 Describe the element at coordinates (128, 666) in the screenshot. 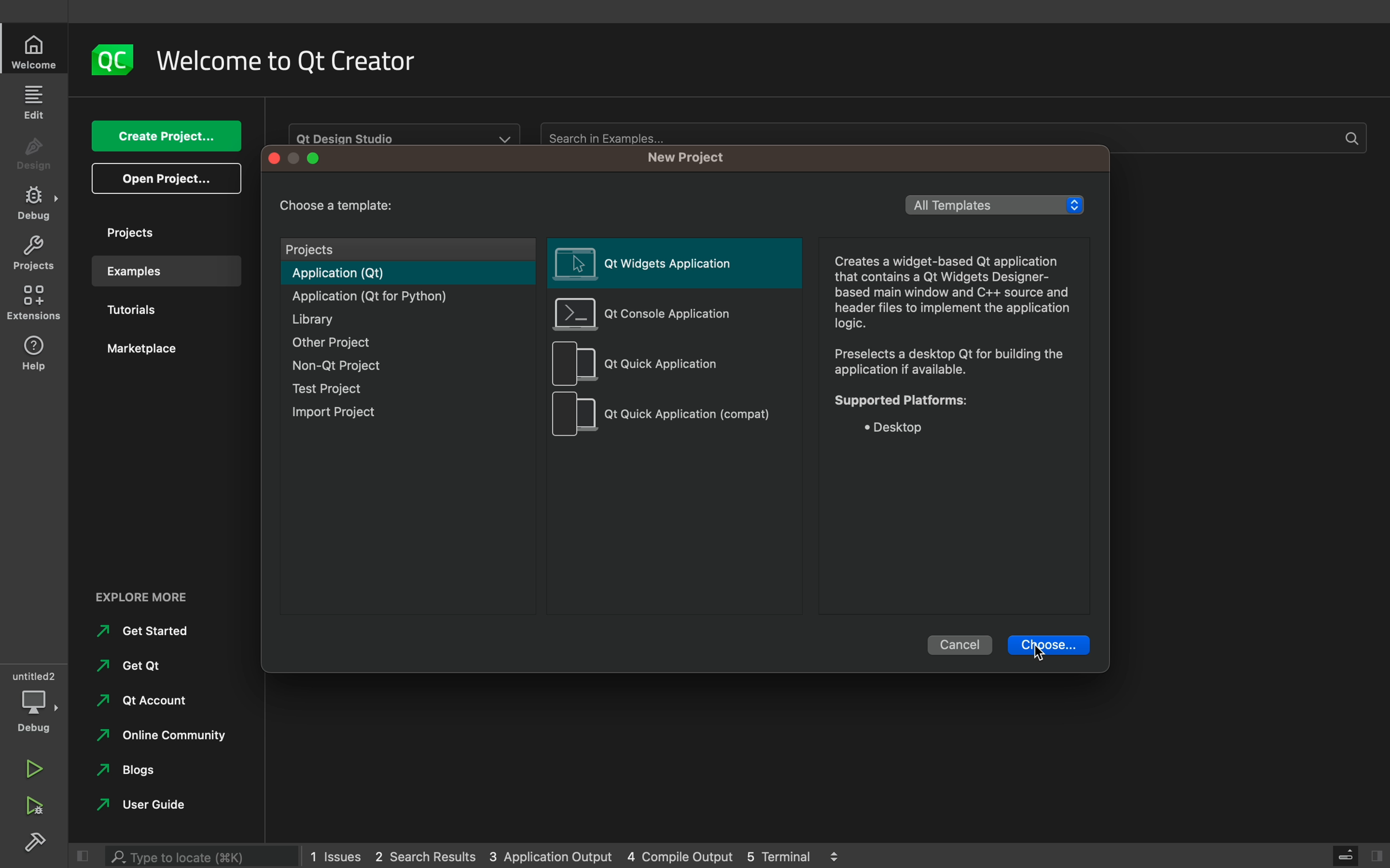

I see `get qt` at that location.